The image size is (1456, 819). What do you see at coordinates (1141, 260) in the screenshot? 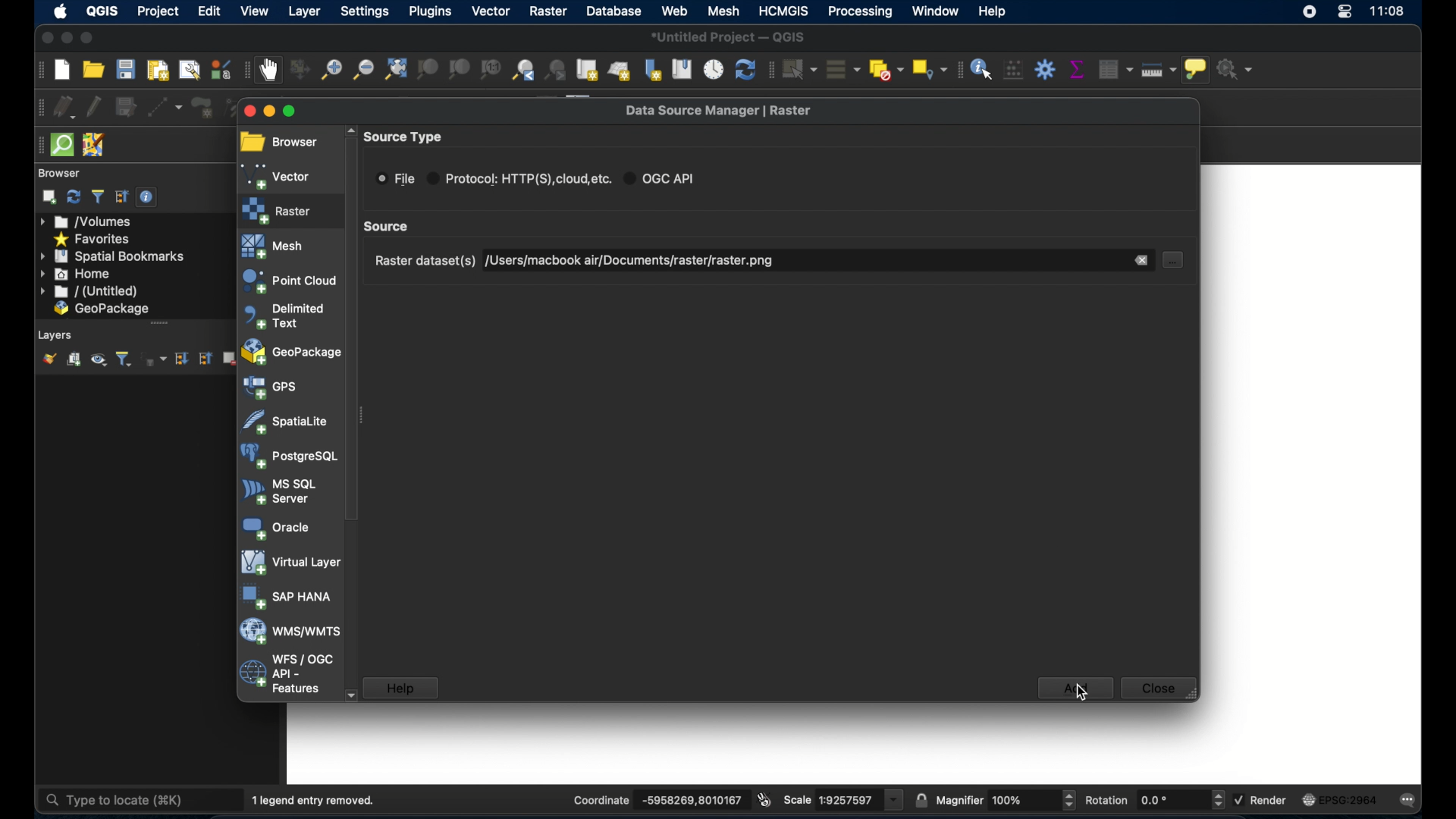
I see `remove` at bounding box center [1141, 260].